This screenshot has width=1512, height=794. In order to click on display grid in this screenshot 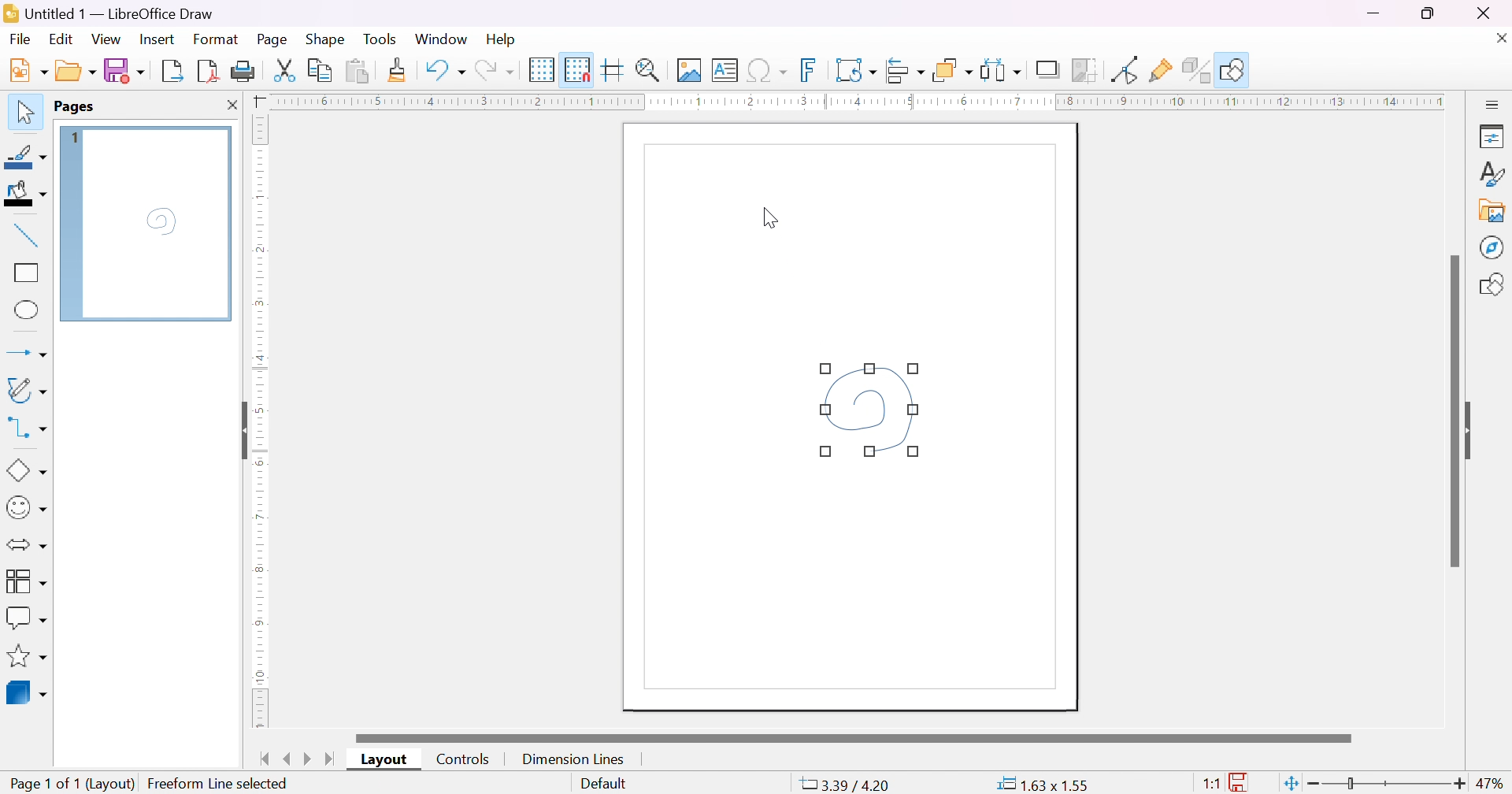, I will do `click(542, 70)`.